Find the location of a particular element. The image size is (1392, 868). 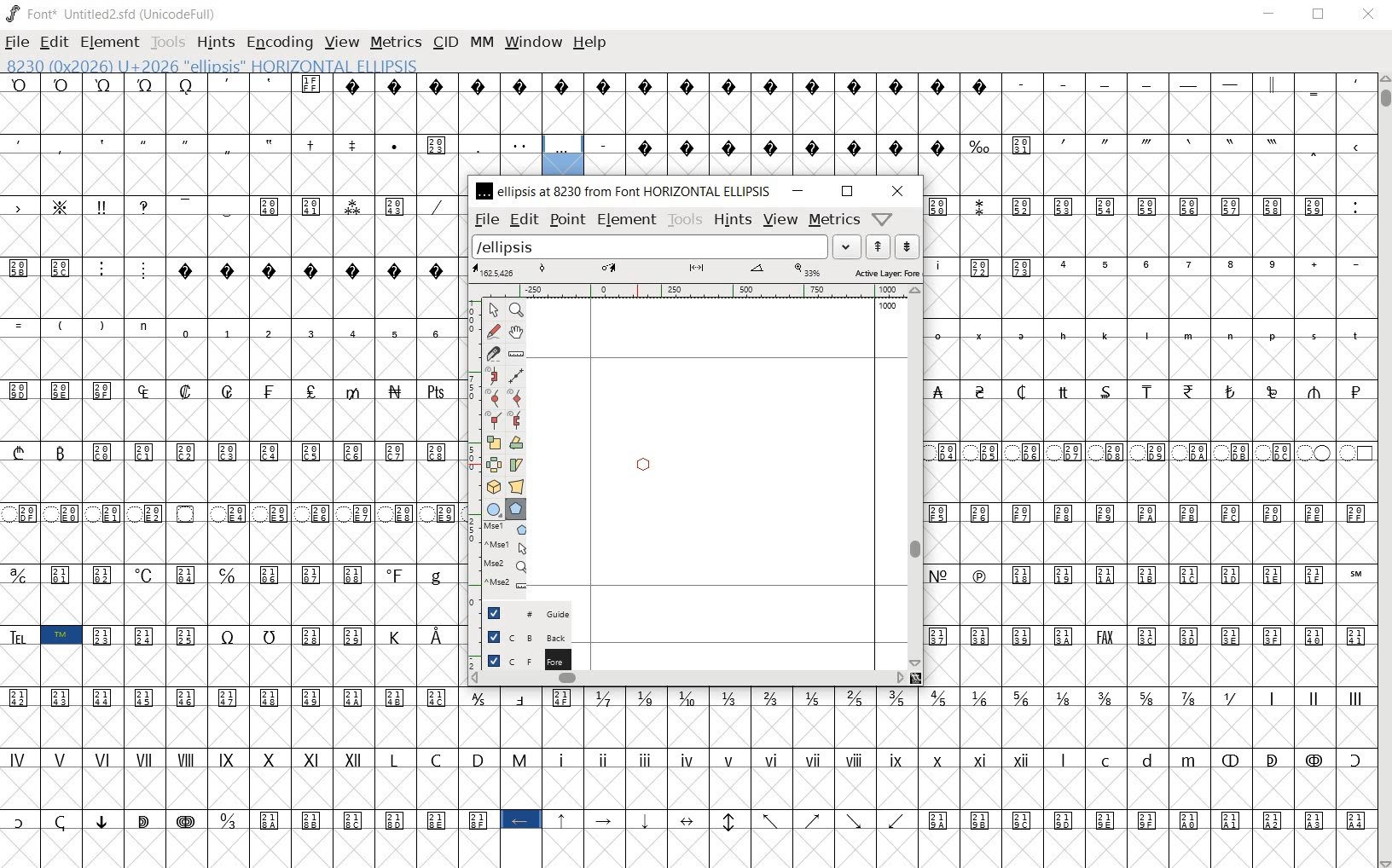

glyph characters is located at coordinates (915, 773).